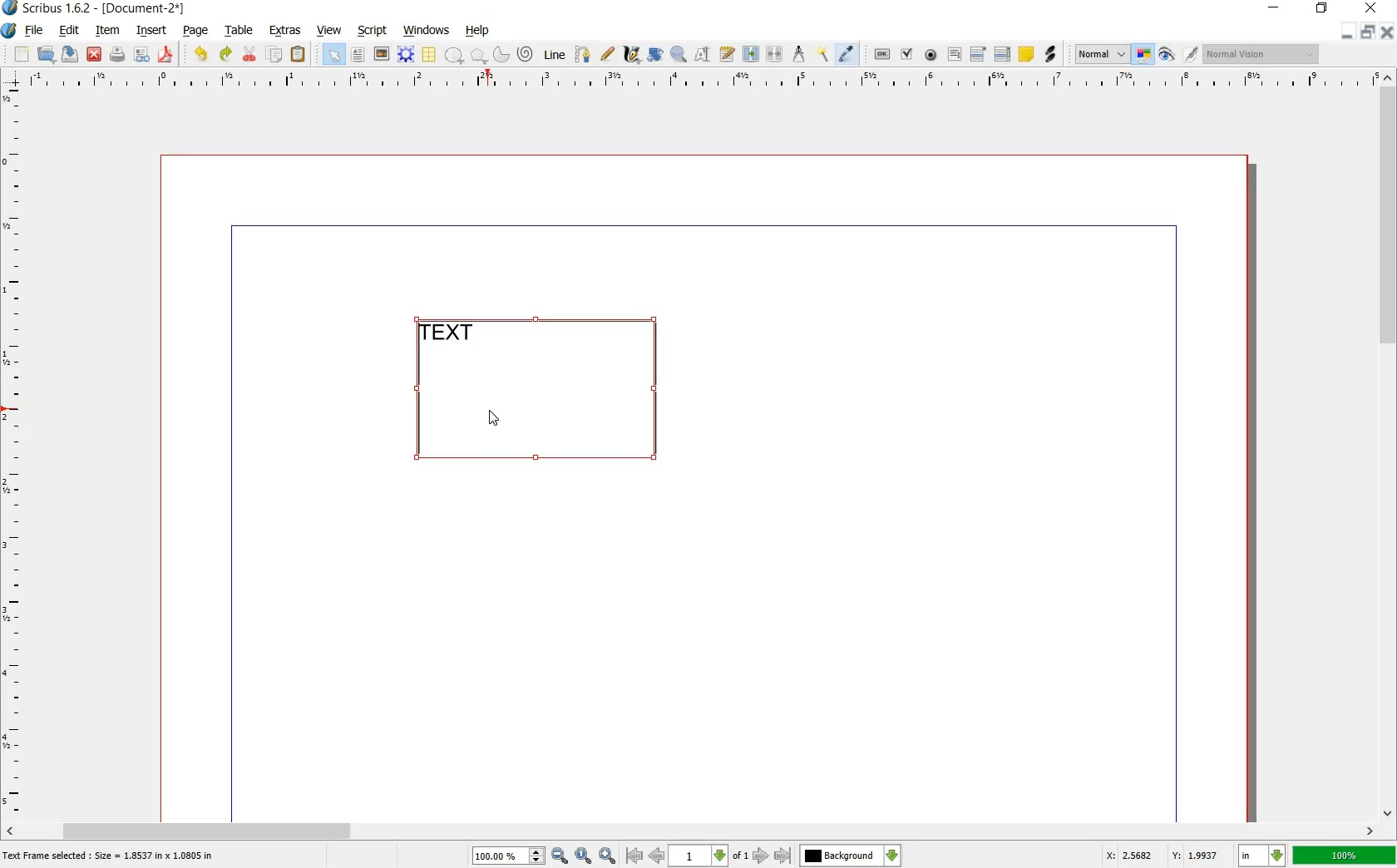 The height and width of the screenshot is (868, 1397). I want to click on arc, so click(500, 53).